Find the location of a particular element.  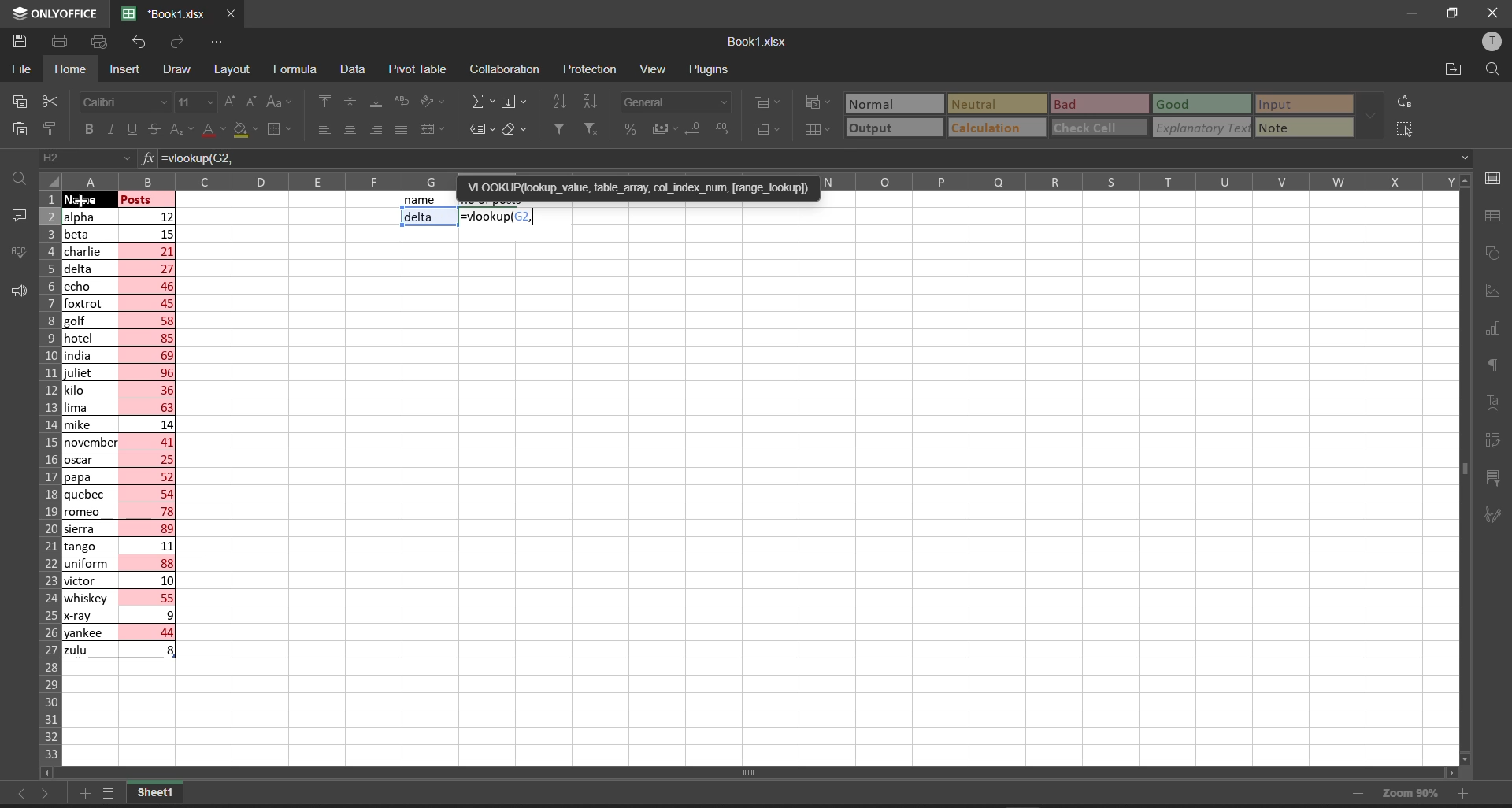

scroll down is located at coordinates (1468, 758).